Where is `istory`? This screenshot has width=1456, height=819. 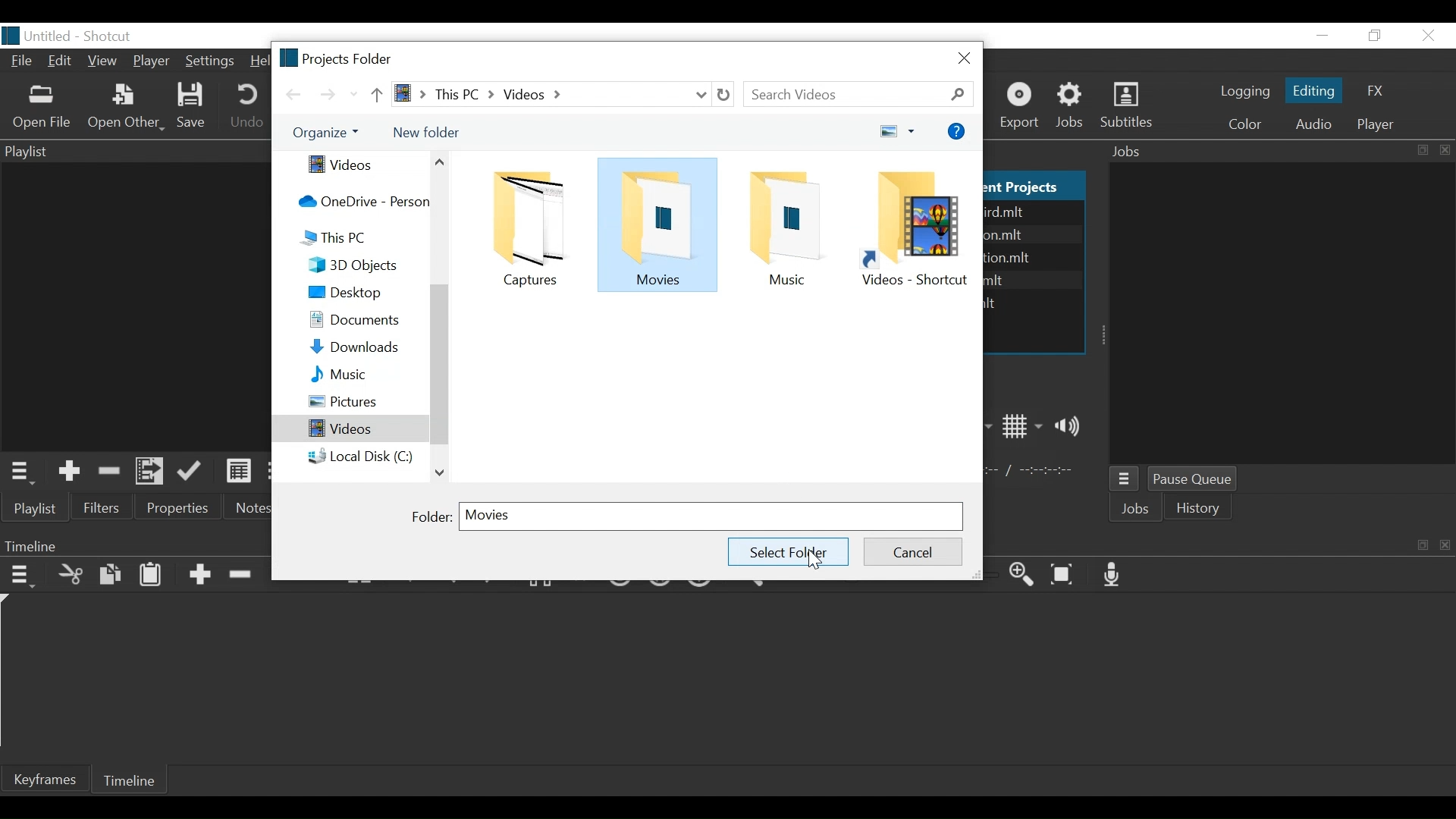
istory is located at coordinates (1202, 508).